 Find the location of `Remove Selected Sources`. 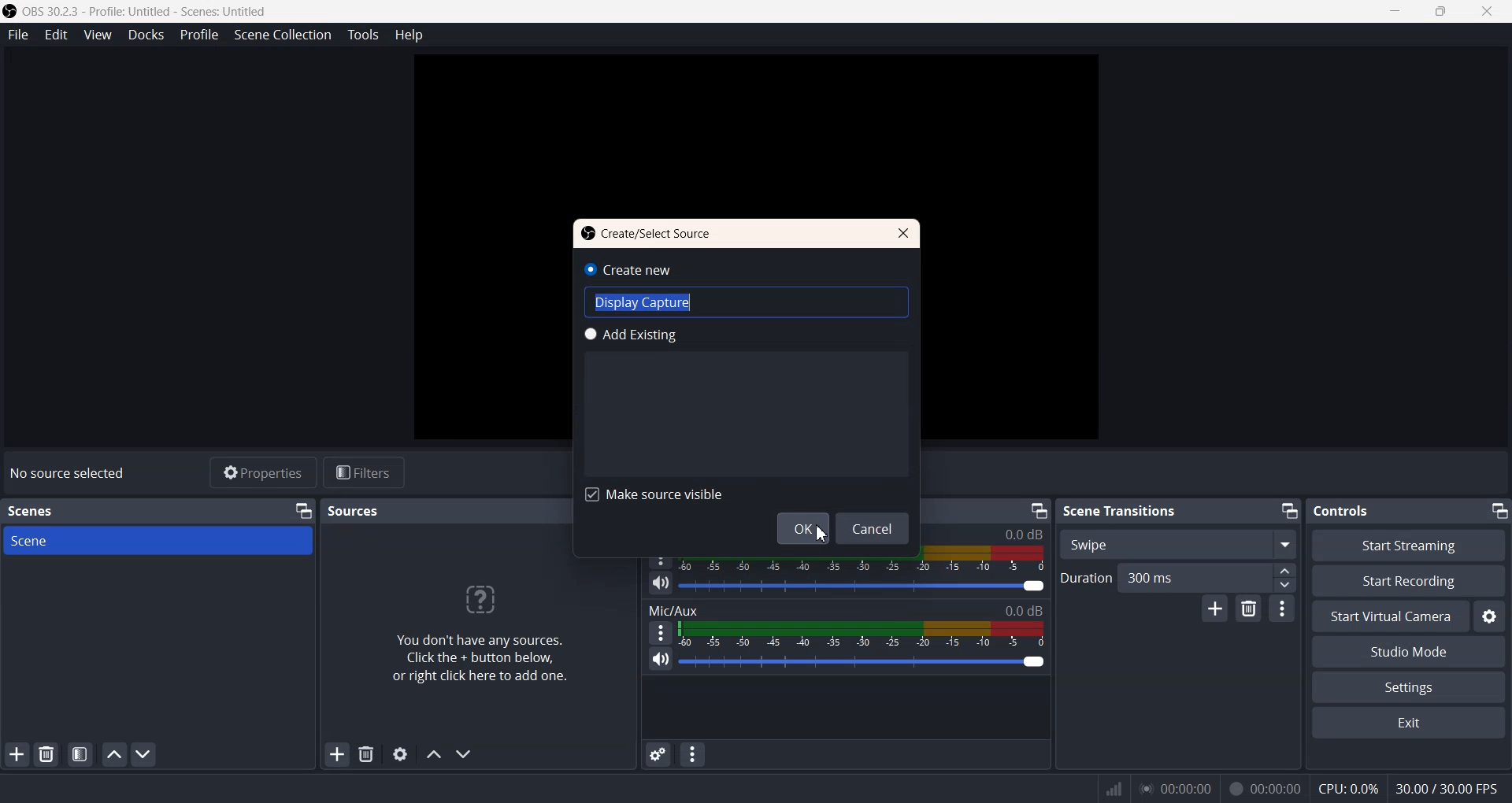

Remove Selected Sources is located at coordinates (367, 754).